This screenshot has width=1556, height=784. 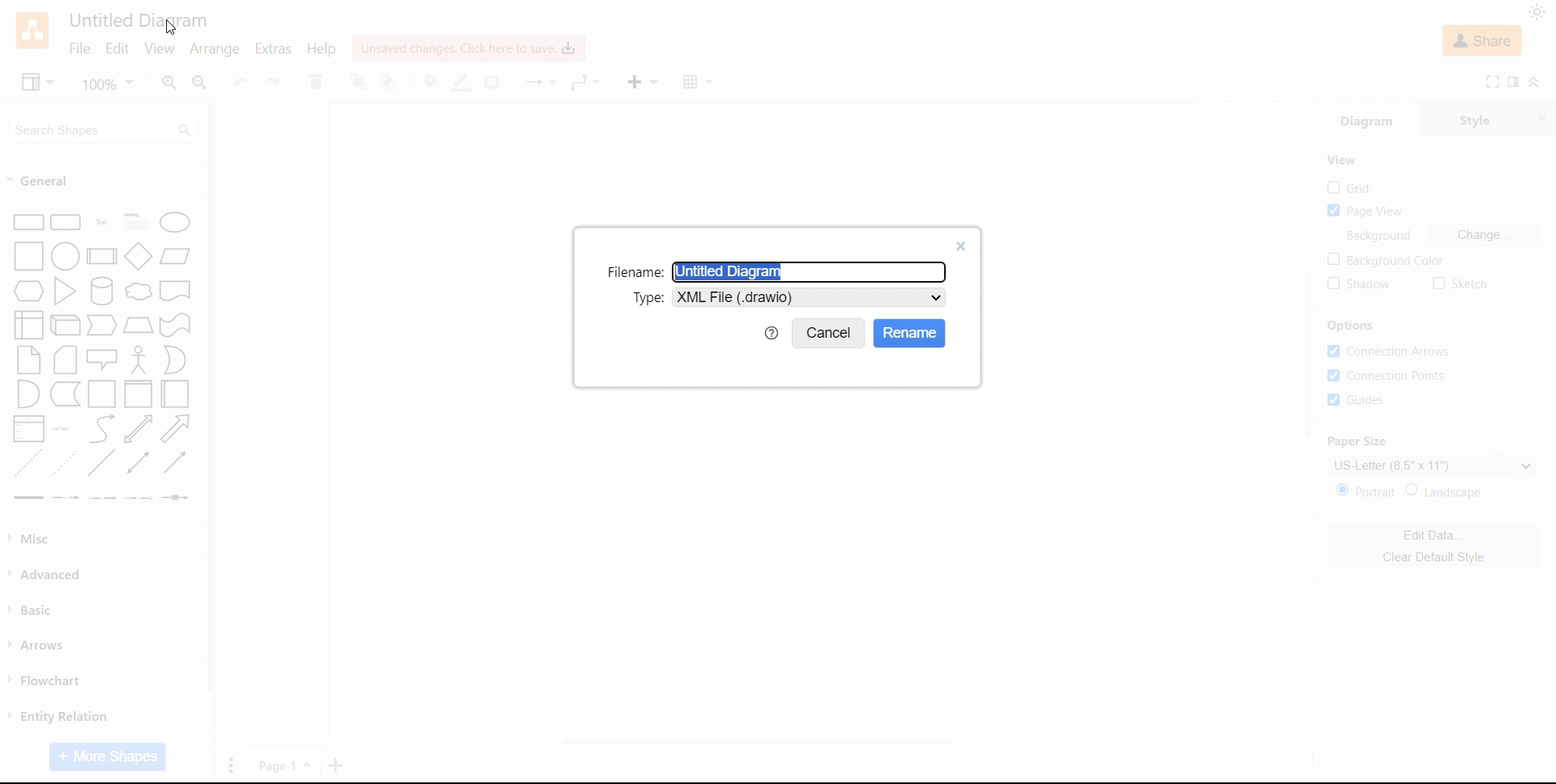 I want to click on Waypoints , so click(x=587, y=83).